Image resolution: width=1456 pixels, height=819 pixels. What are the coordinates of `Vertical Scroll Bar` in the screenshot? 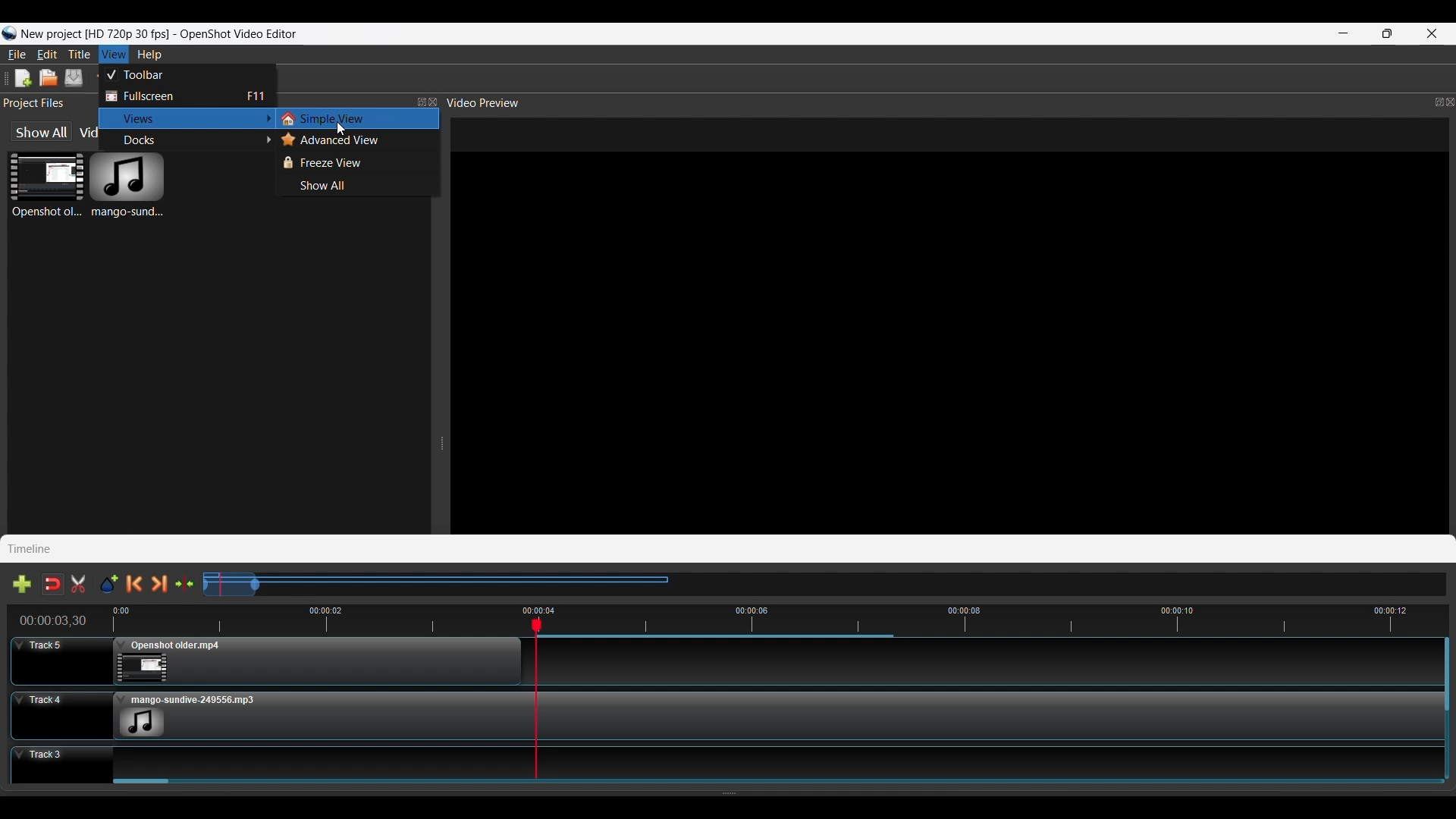 It's located at (1446, 706).